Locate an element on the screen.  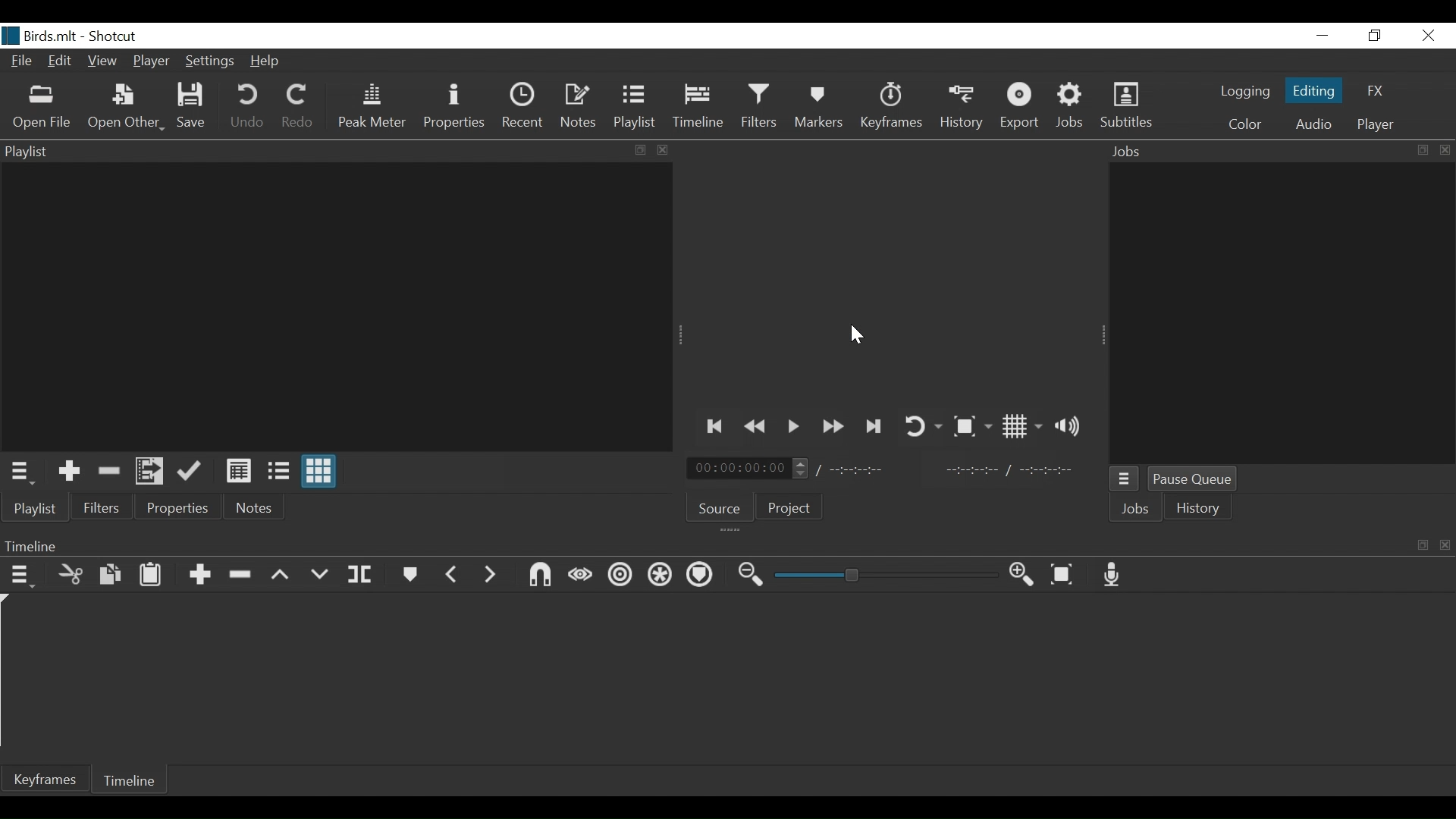
Skip to the next point is located at coordinates (874, 426).